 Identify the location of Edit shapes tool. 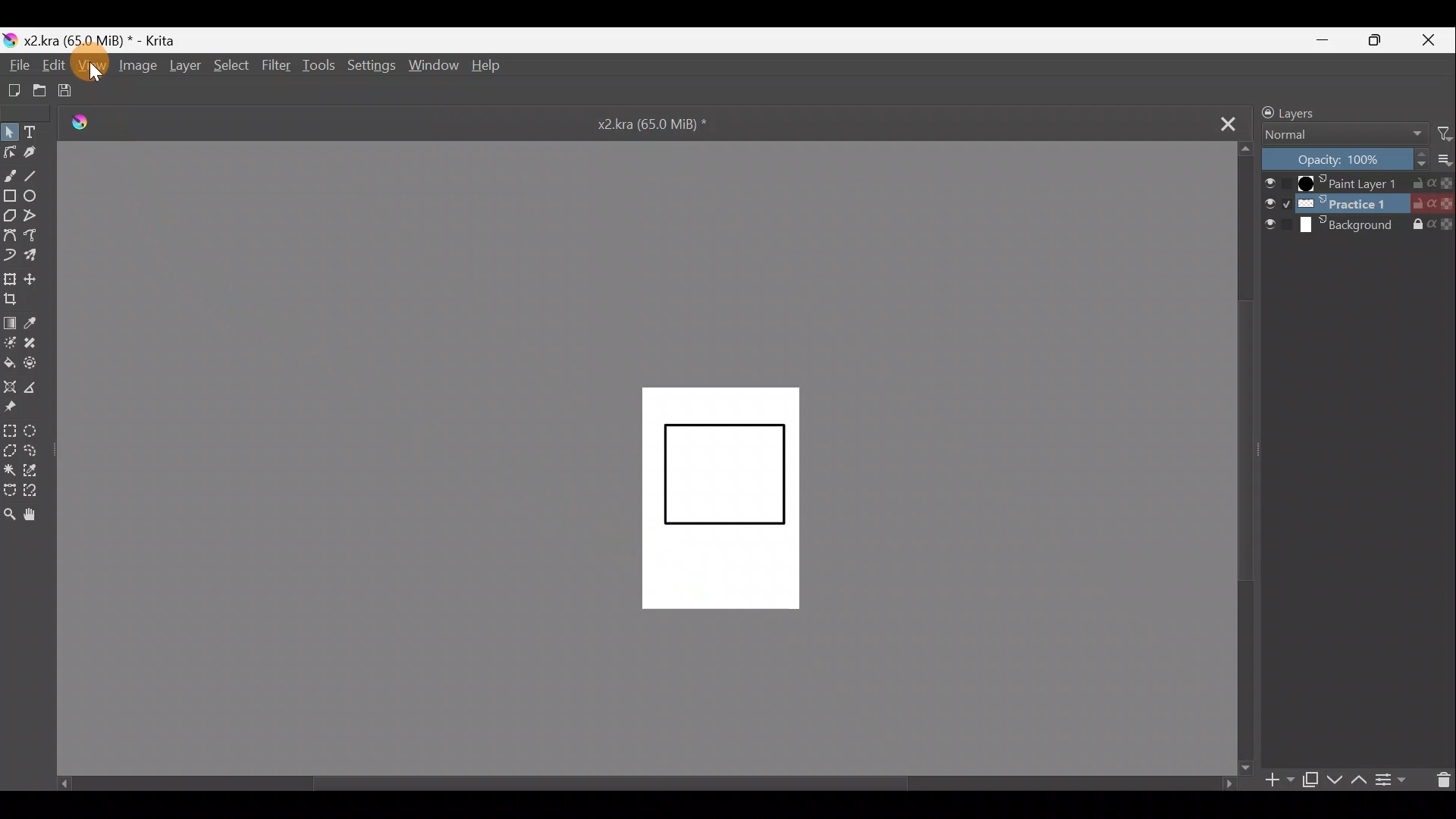
(10, 154).